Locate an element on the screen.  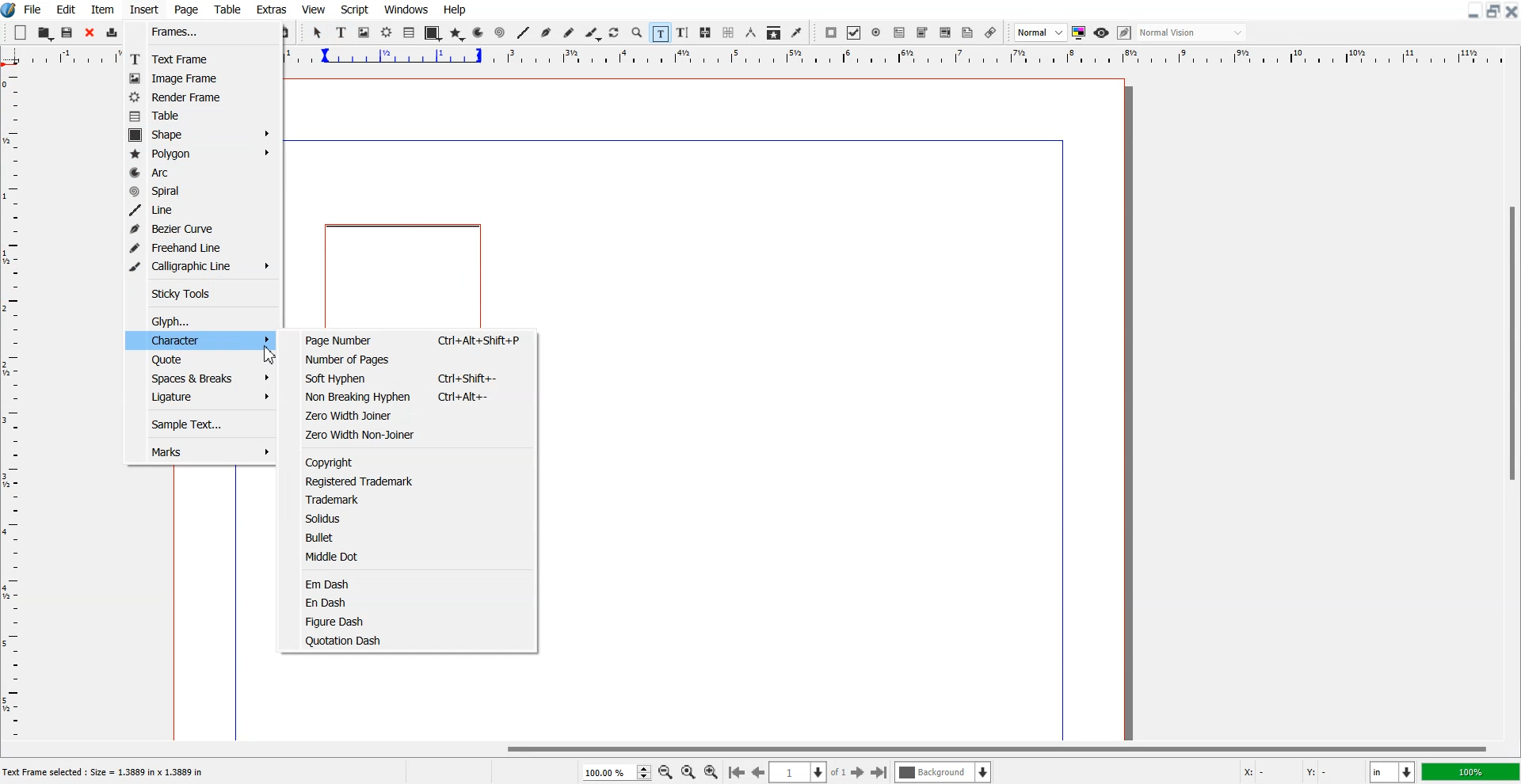
text frame is located at coordinates (405, 274).